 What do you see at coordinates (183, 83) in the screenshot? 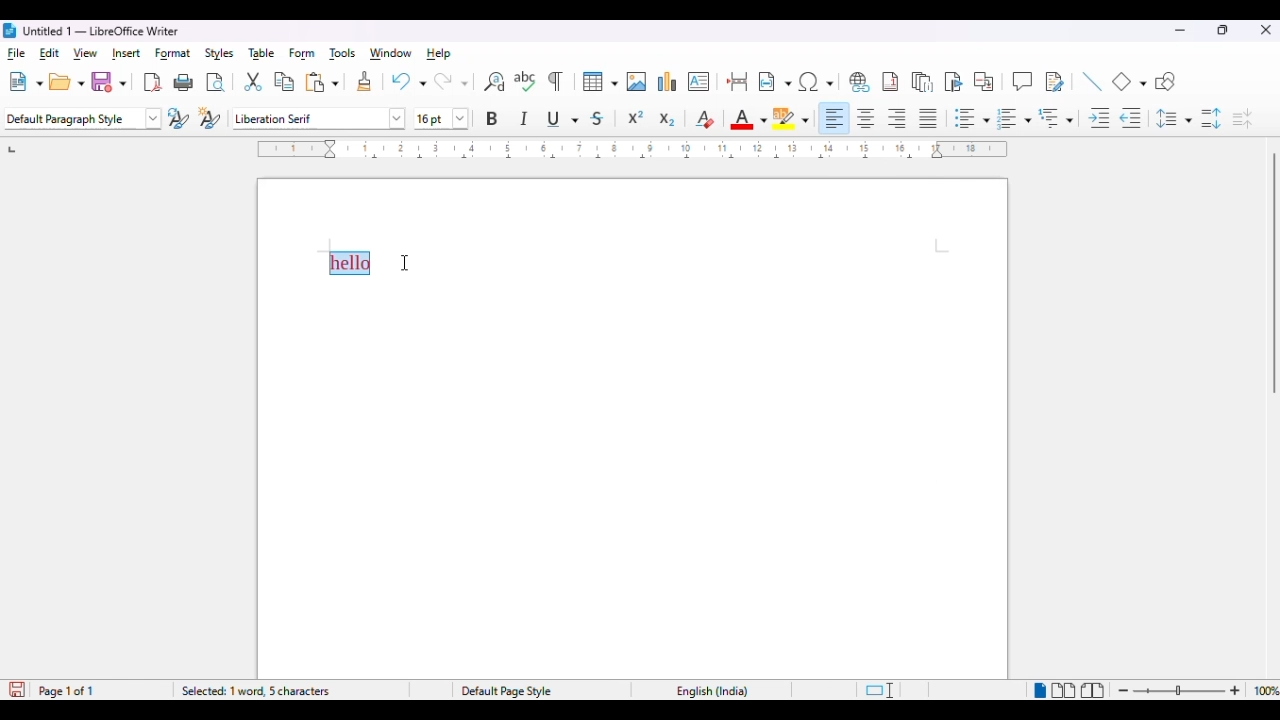
I see `print` at bounding box center [183, 83].